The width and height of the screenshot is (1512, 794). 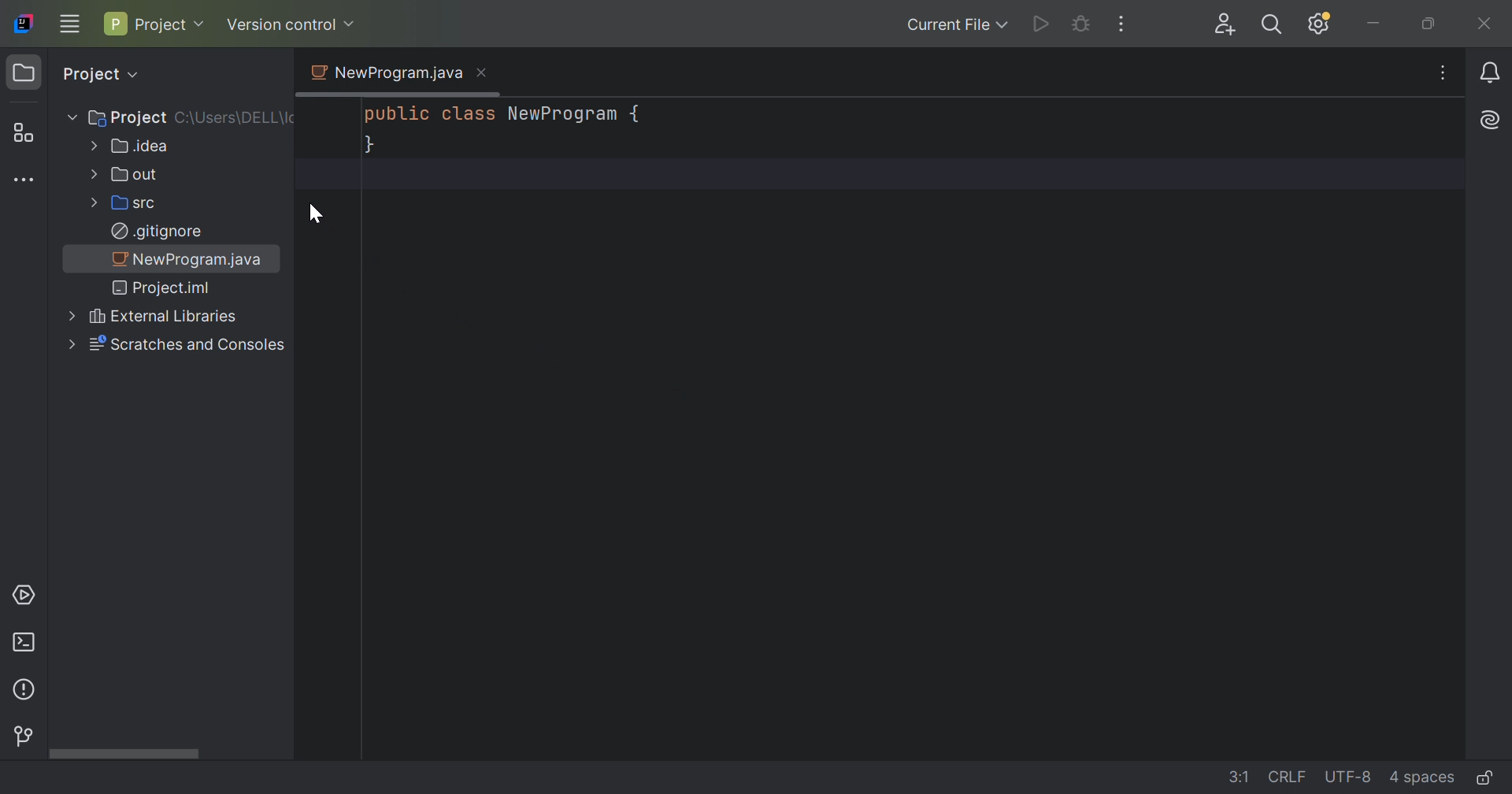 I want to click on Project, so click(x=128, y=117).